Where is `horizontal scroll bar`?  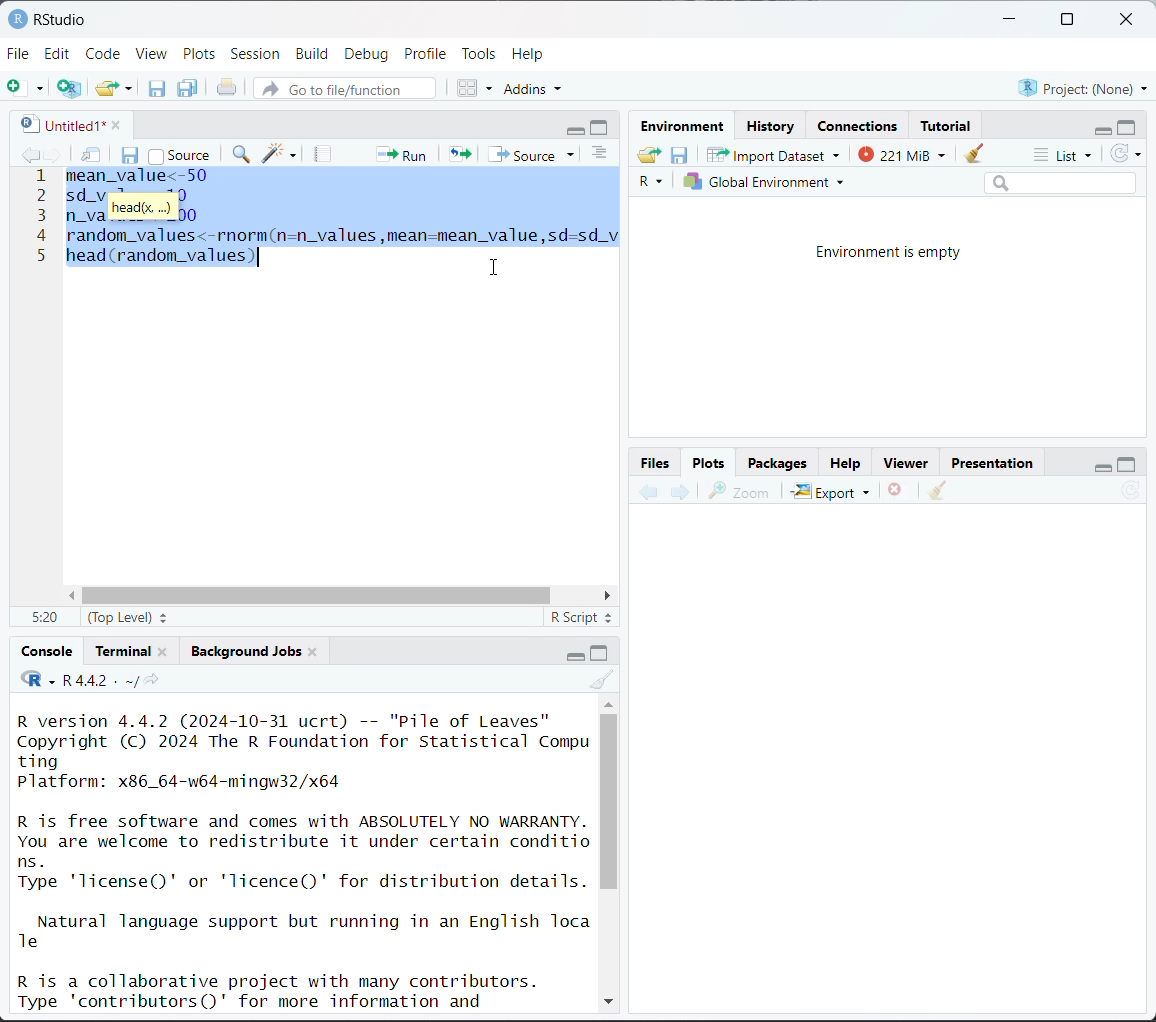
horizontal scroll bar is located at coordinates (321, 596).